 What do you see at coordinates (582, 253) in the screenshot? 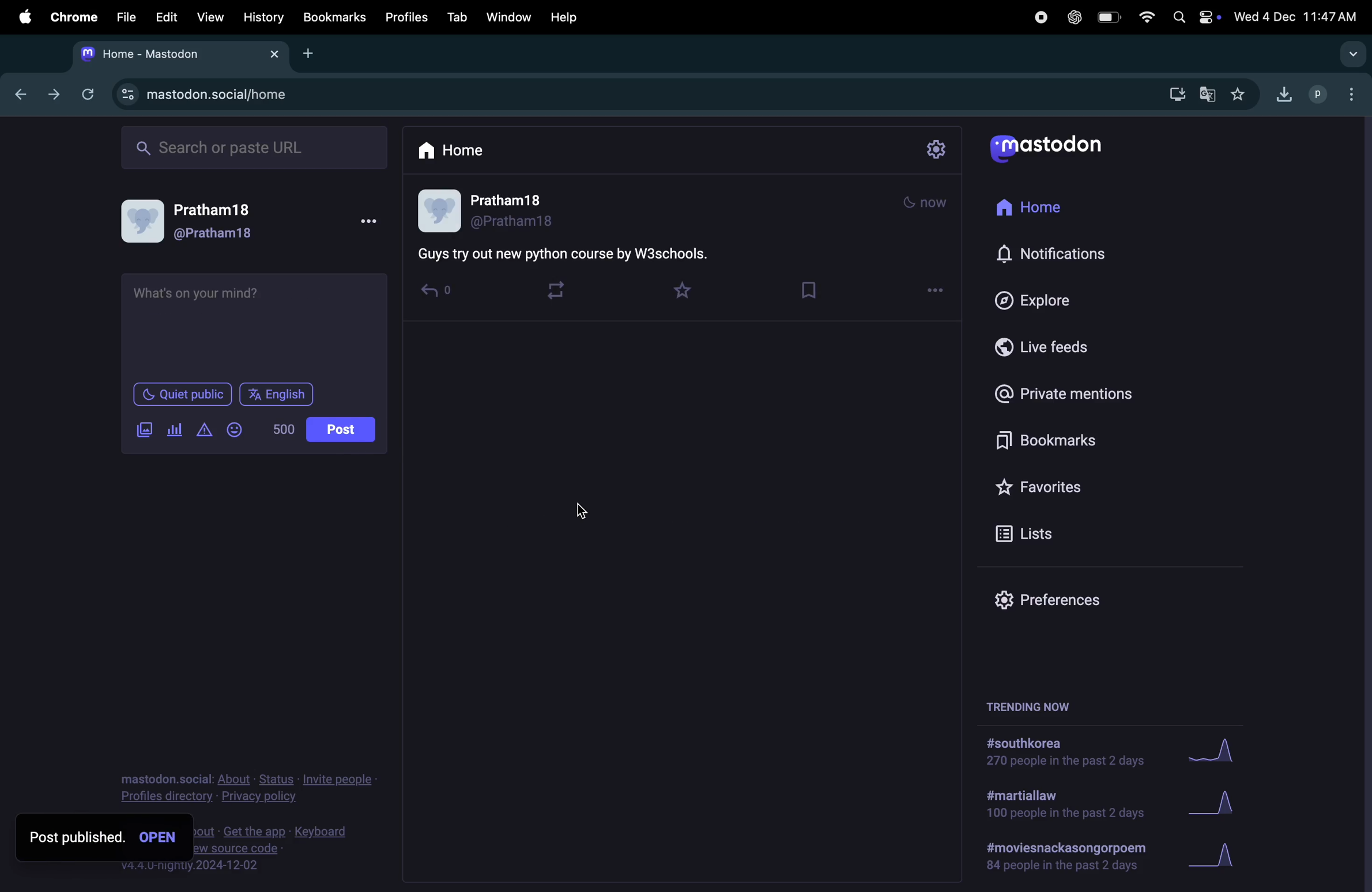
I see `text box` at bounding box center [582, 253].